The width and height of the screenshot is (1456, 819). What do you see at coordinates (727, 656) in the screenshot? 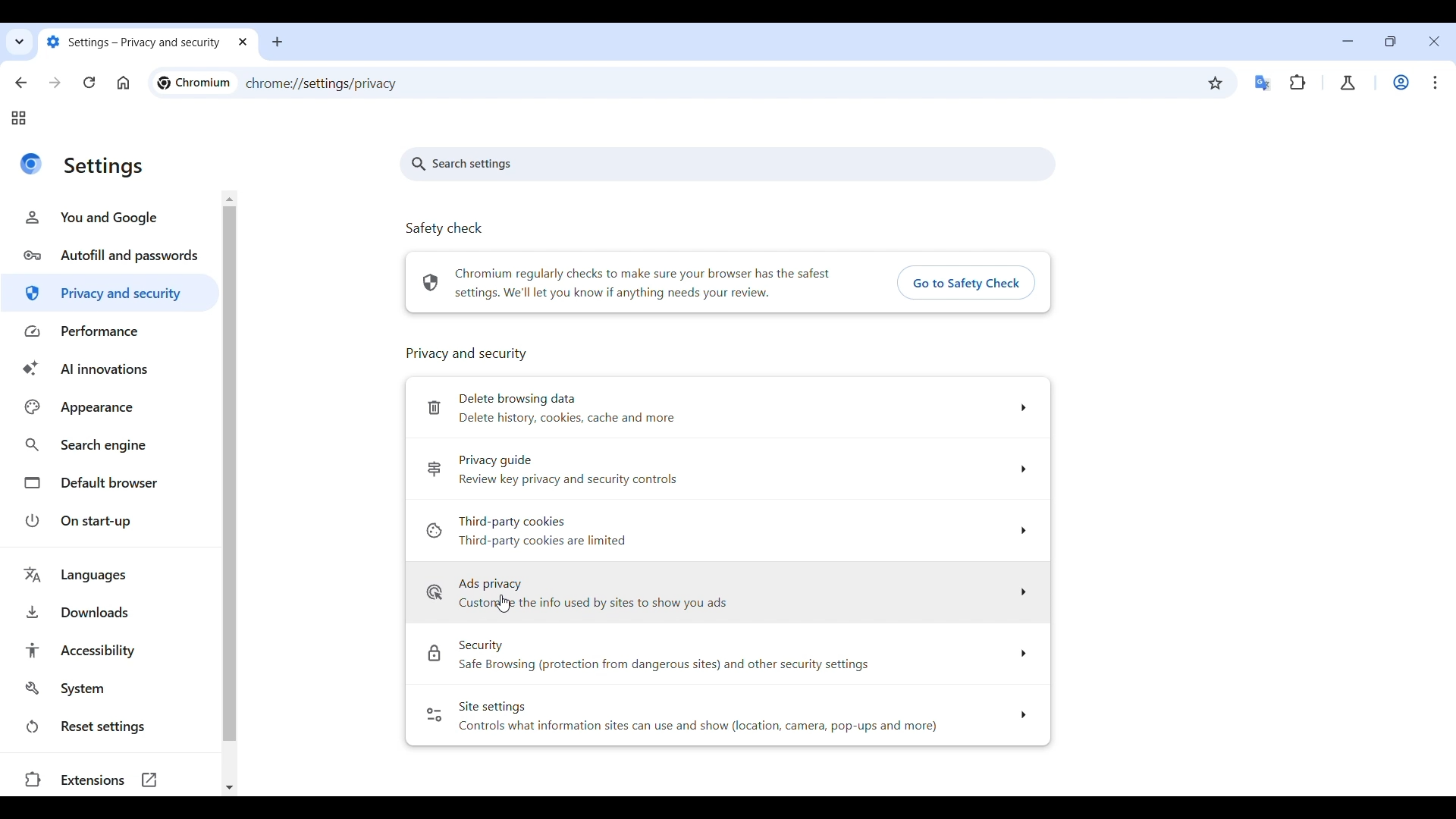
I see `Security options` at bounding box center [727, 656].